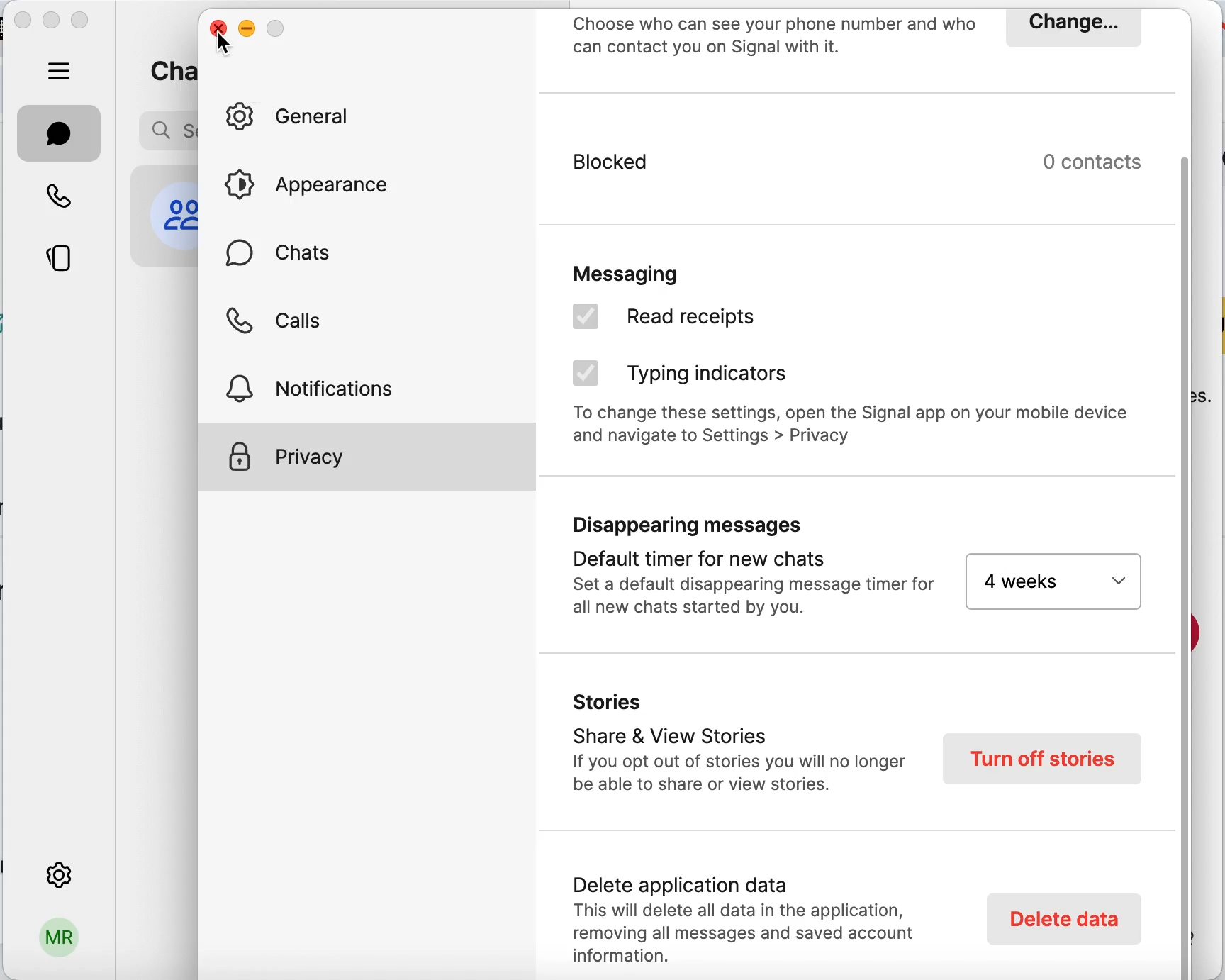  Describe the element at coordinates (775, 38) in the screenshot. I see `choose who can see your phone number` at that location.